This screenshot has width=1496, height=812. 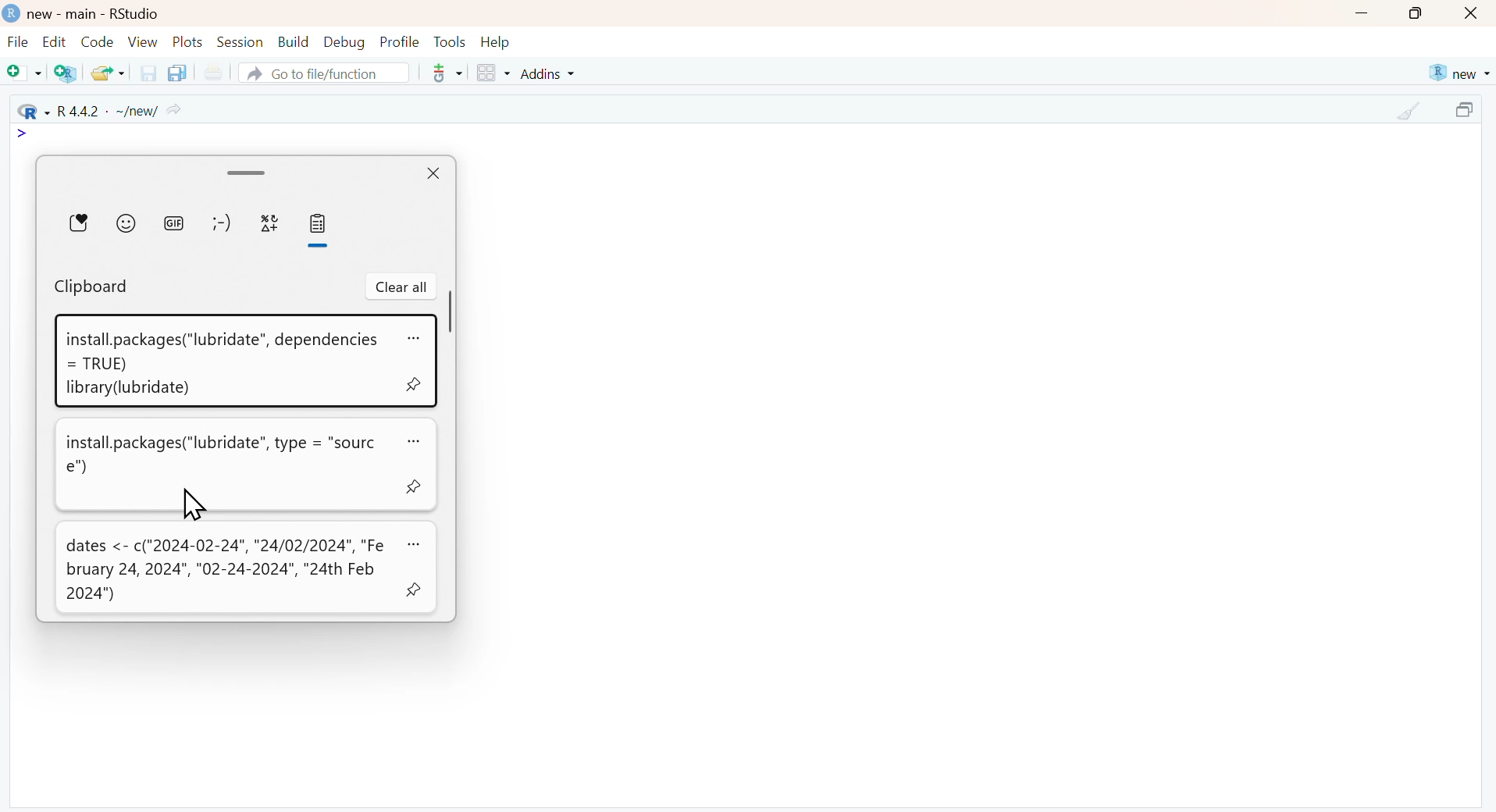 What do you see at coordinates (248, 172) in the screenshot?
I see `scroll bar` at bounding box center [248, 172].